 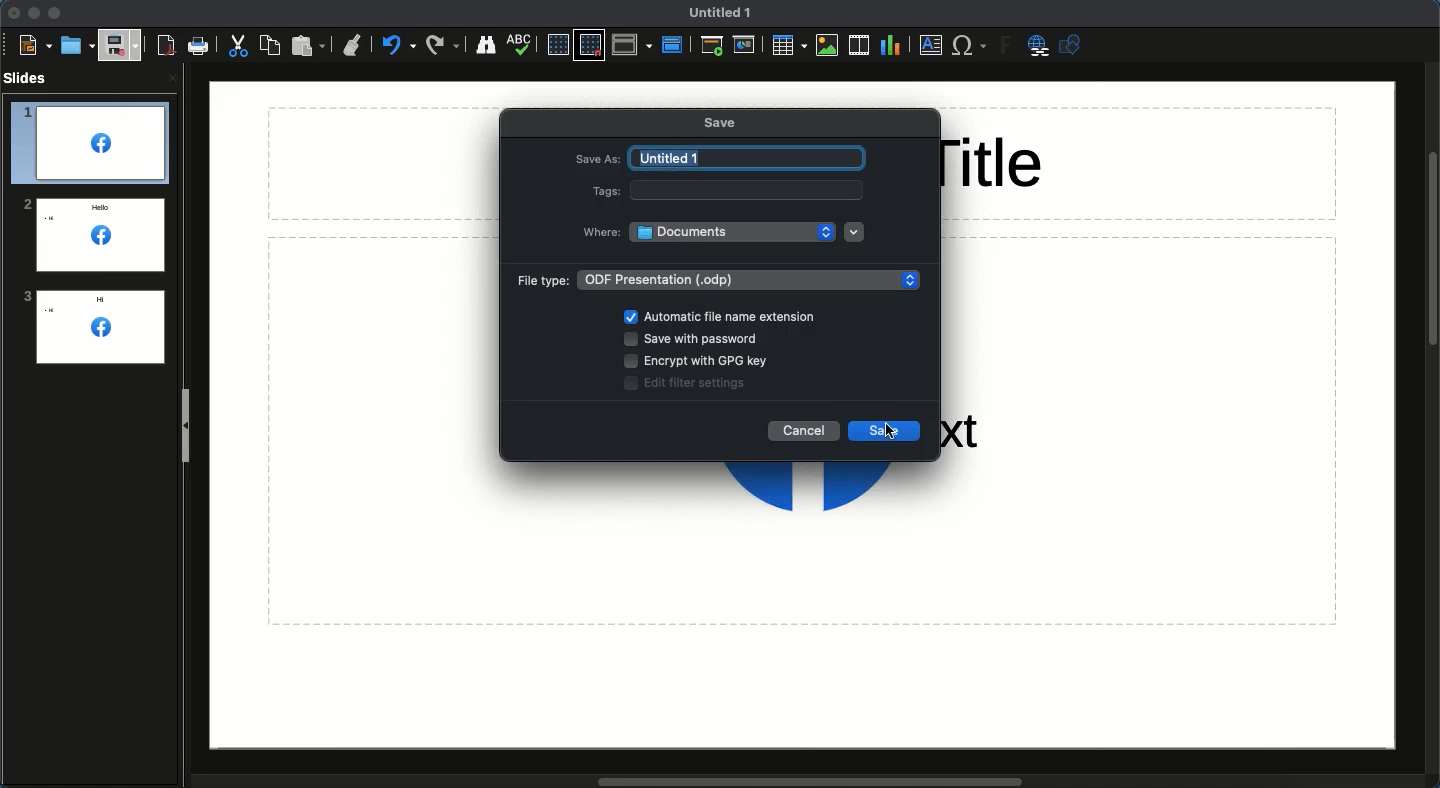 I want to click on Drop down menu, so click(x=854, y=232).